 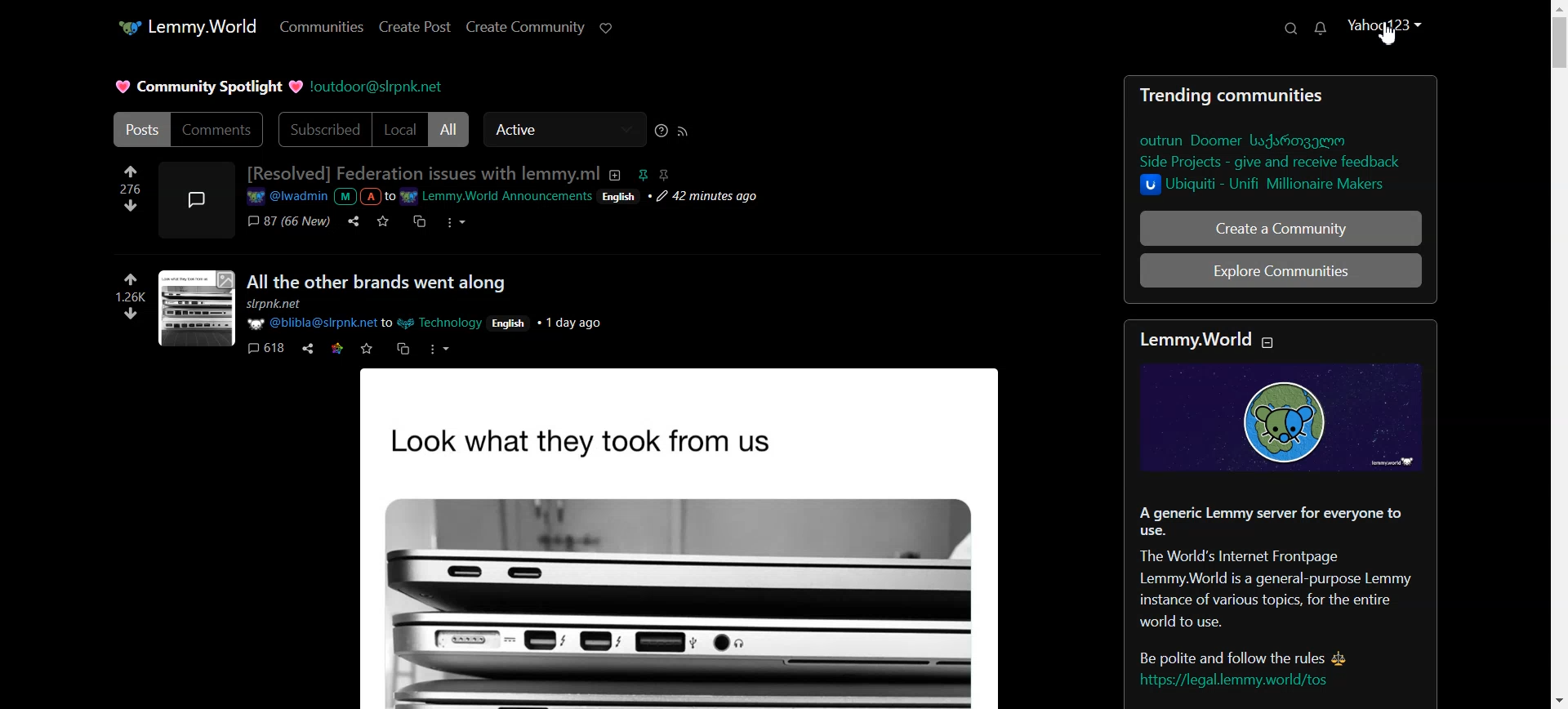 What do you see at coordinates (616, 176) in the screenshot?
I see `About` at bounding box center [616, 176].